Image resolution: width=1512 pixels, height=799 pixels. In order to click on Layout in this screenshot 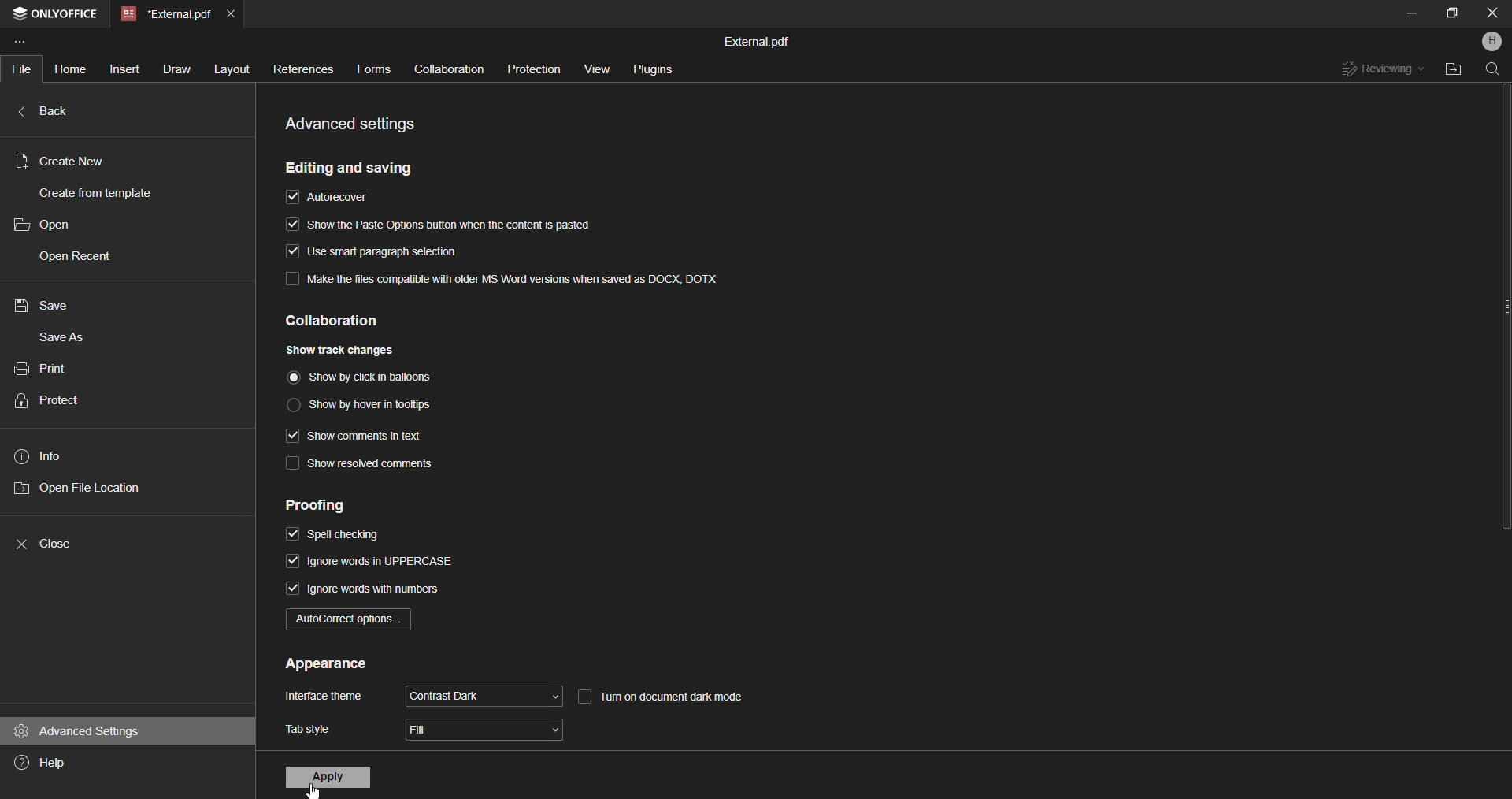, I will do `click(228, 68)`.